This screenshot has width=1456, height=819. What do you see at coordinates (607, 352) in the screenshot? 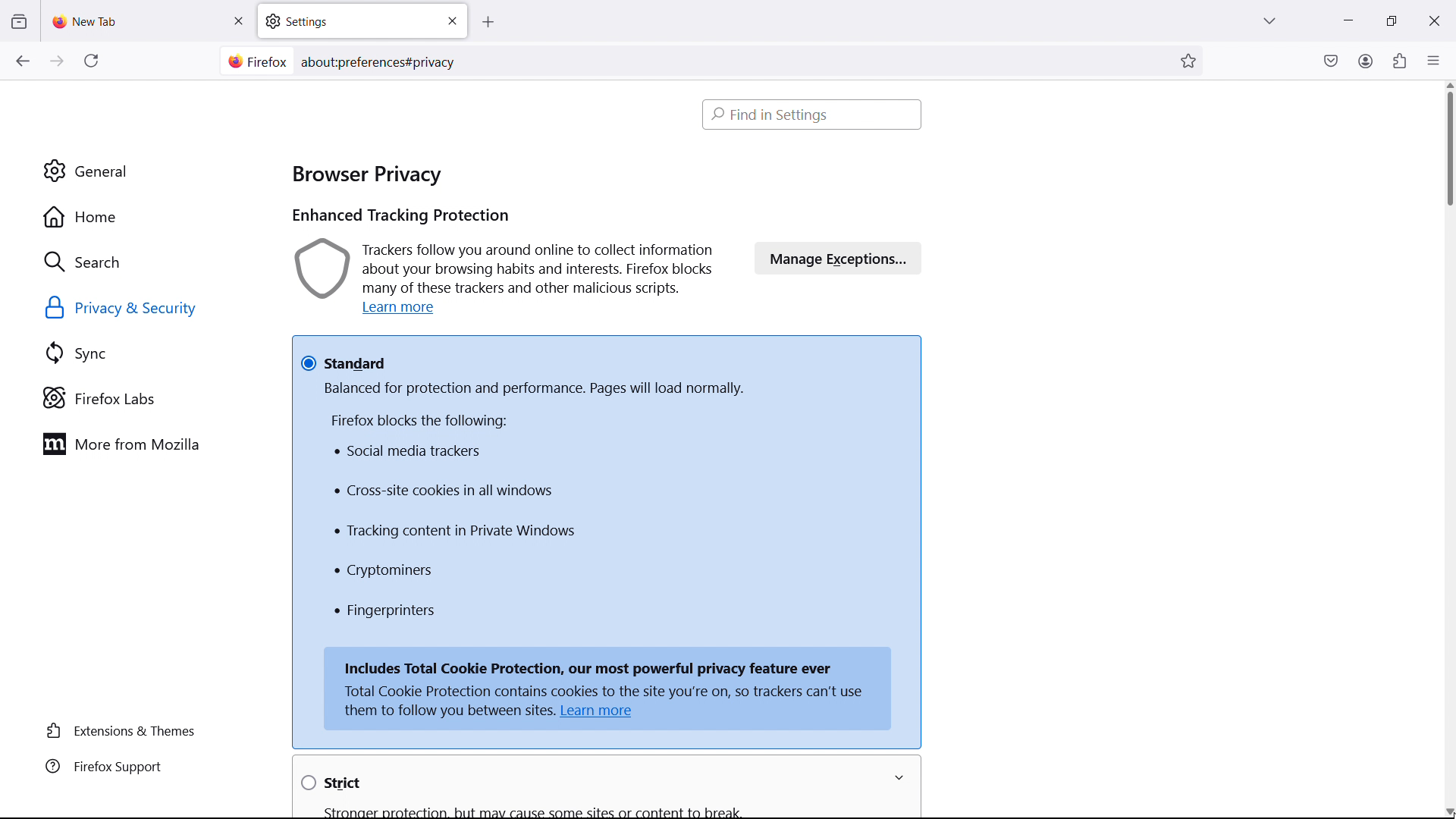
I see `standard privacy & security option` at bounding box center [607, 352].